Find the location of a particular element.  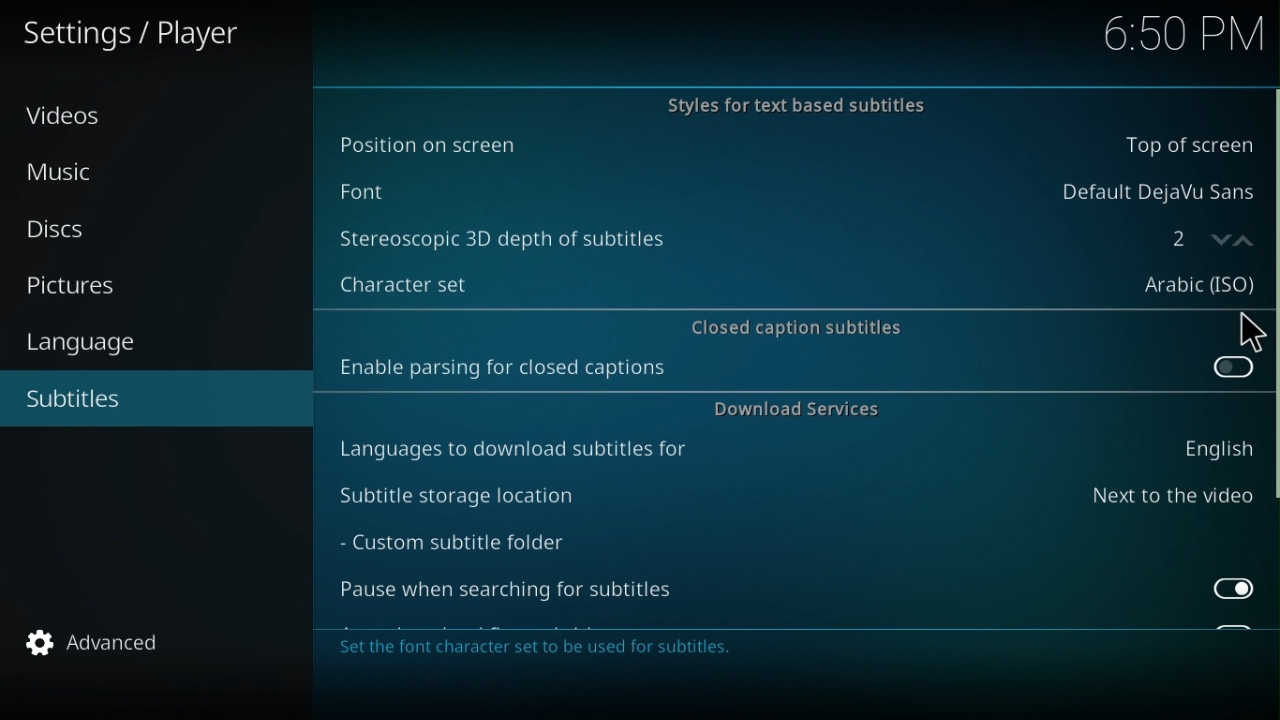

Video is located at coordinates (67, 122).